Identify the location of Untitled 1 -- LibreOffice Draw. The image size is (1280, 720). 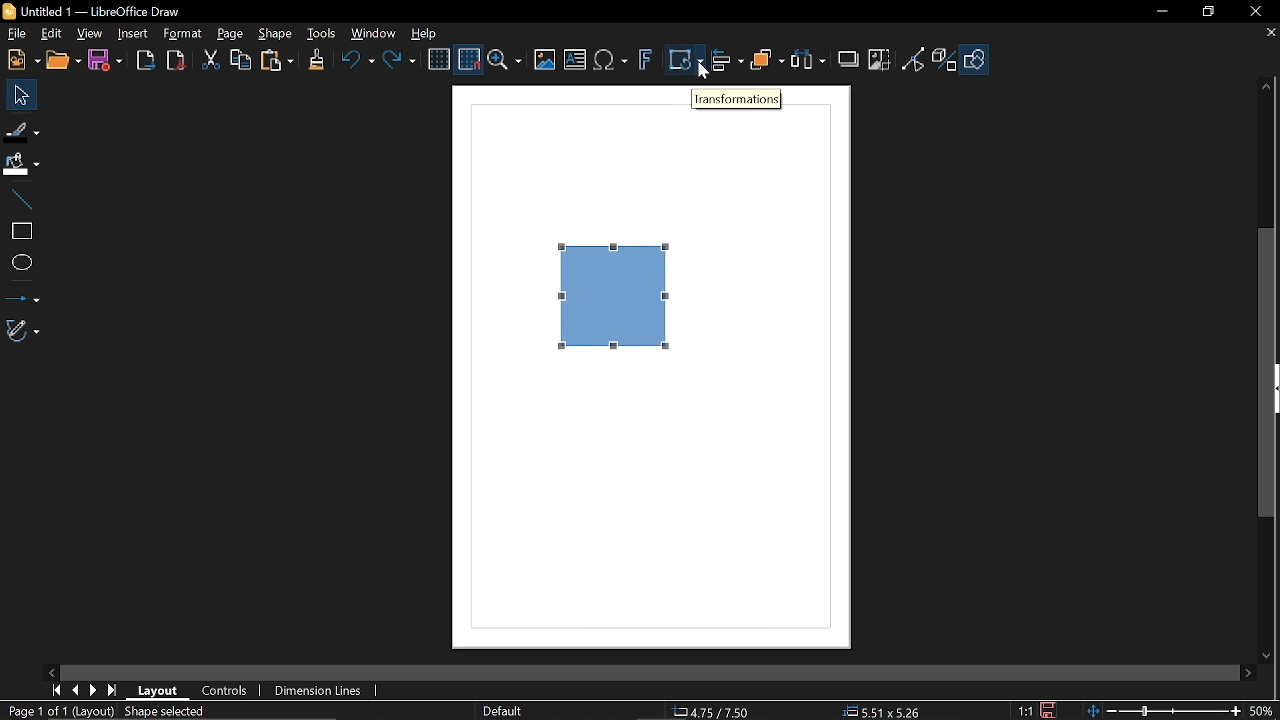
(107, 10).